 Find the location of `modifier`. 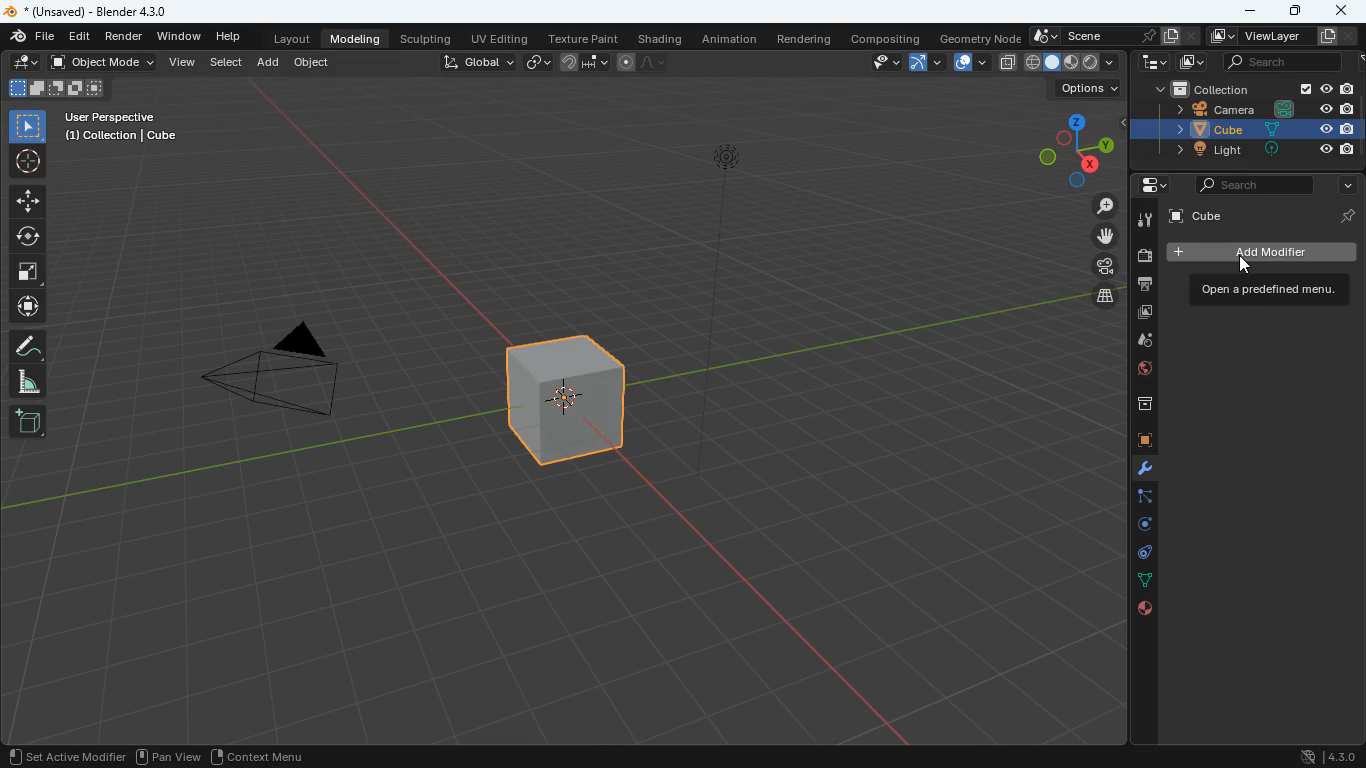

modifier is located at coordinates (102, 755).